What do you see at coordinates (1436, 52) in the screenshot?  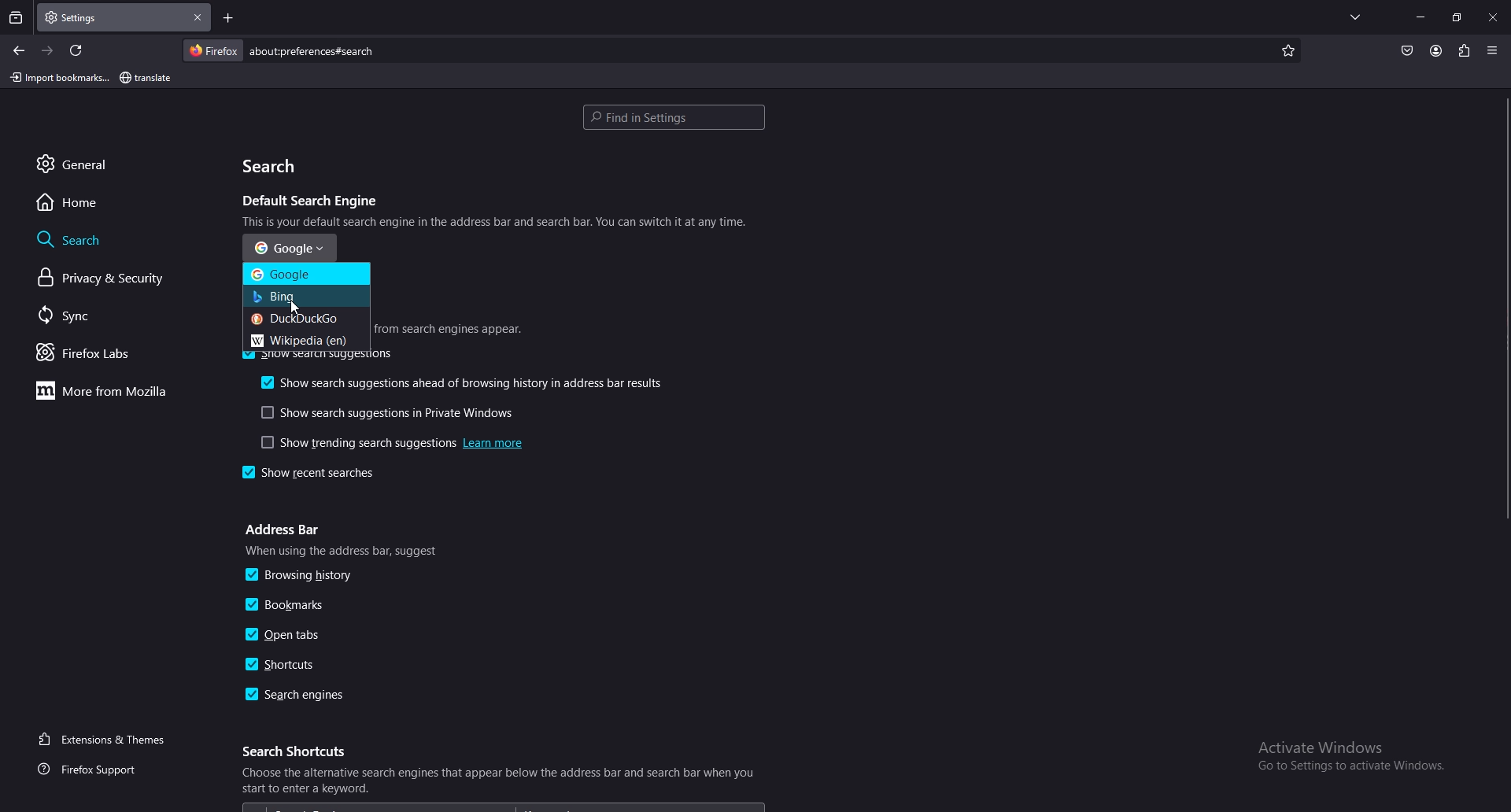 I see `profile` at bounding box center [1436, 52].